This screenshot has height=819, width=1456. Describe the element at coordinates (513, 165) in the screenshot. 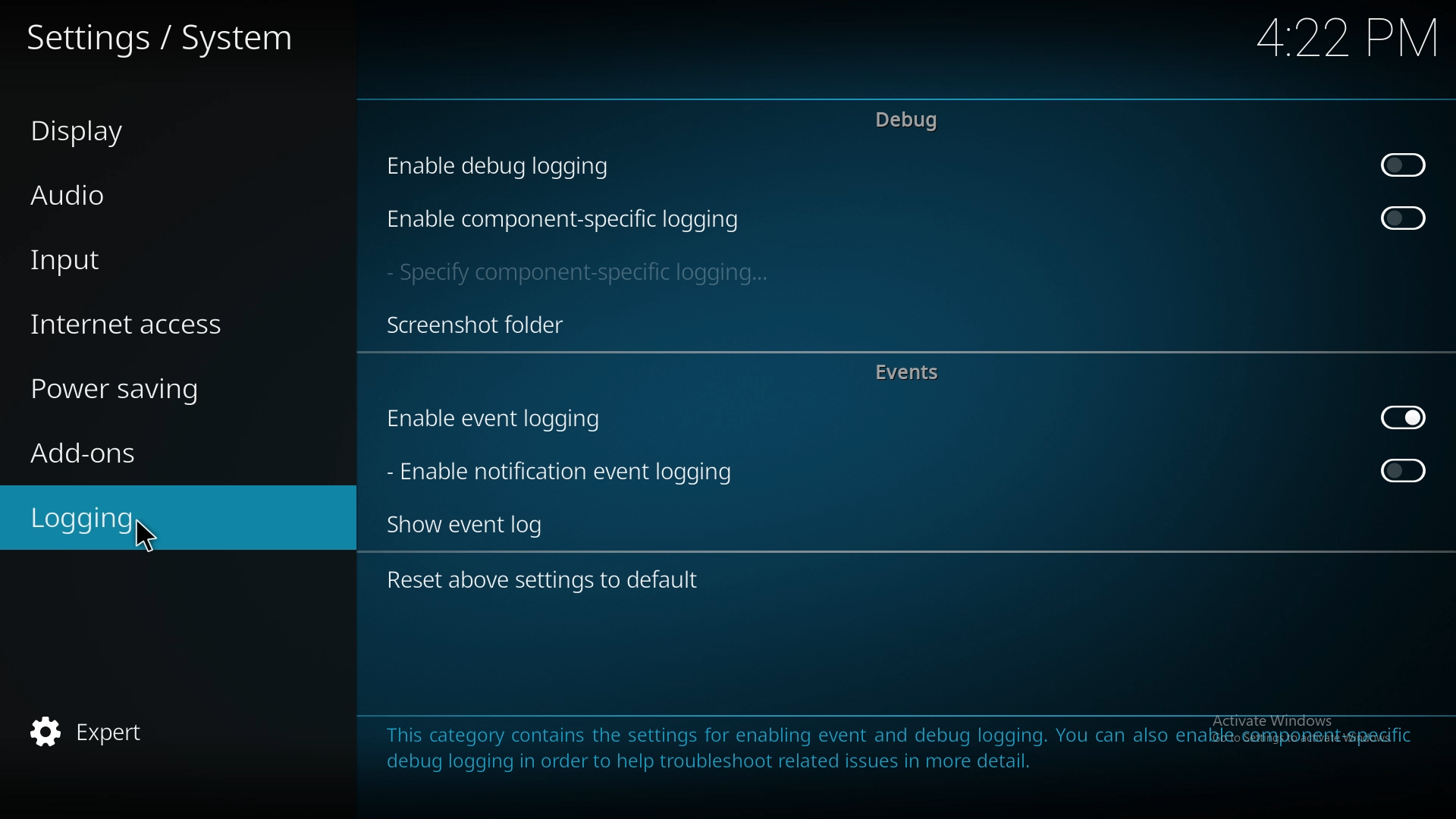

I see `enable debug logging` at that location.